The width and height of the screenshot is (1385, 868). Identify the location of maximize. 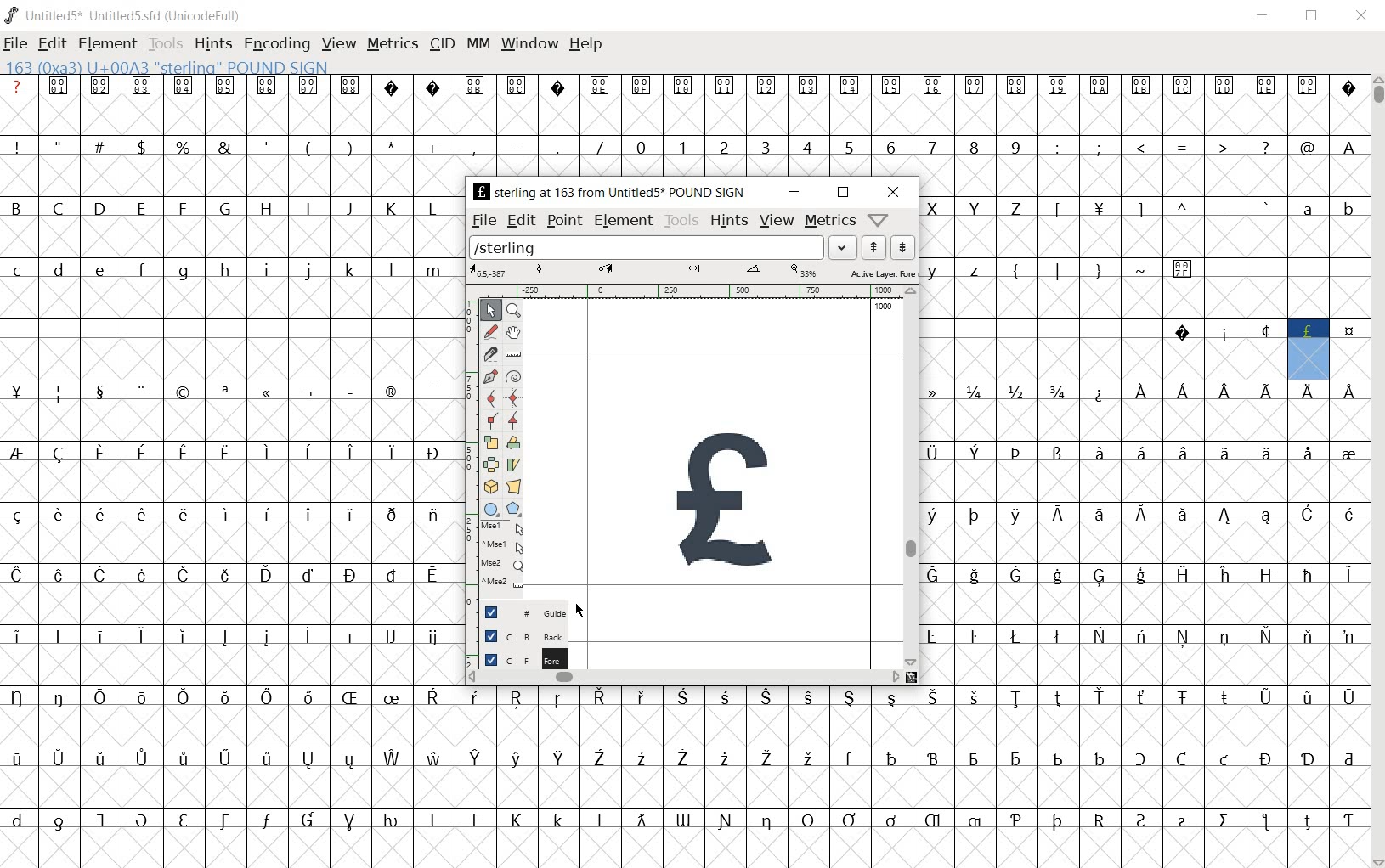
(1310, 17).